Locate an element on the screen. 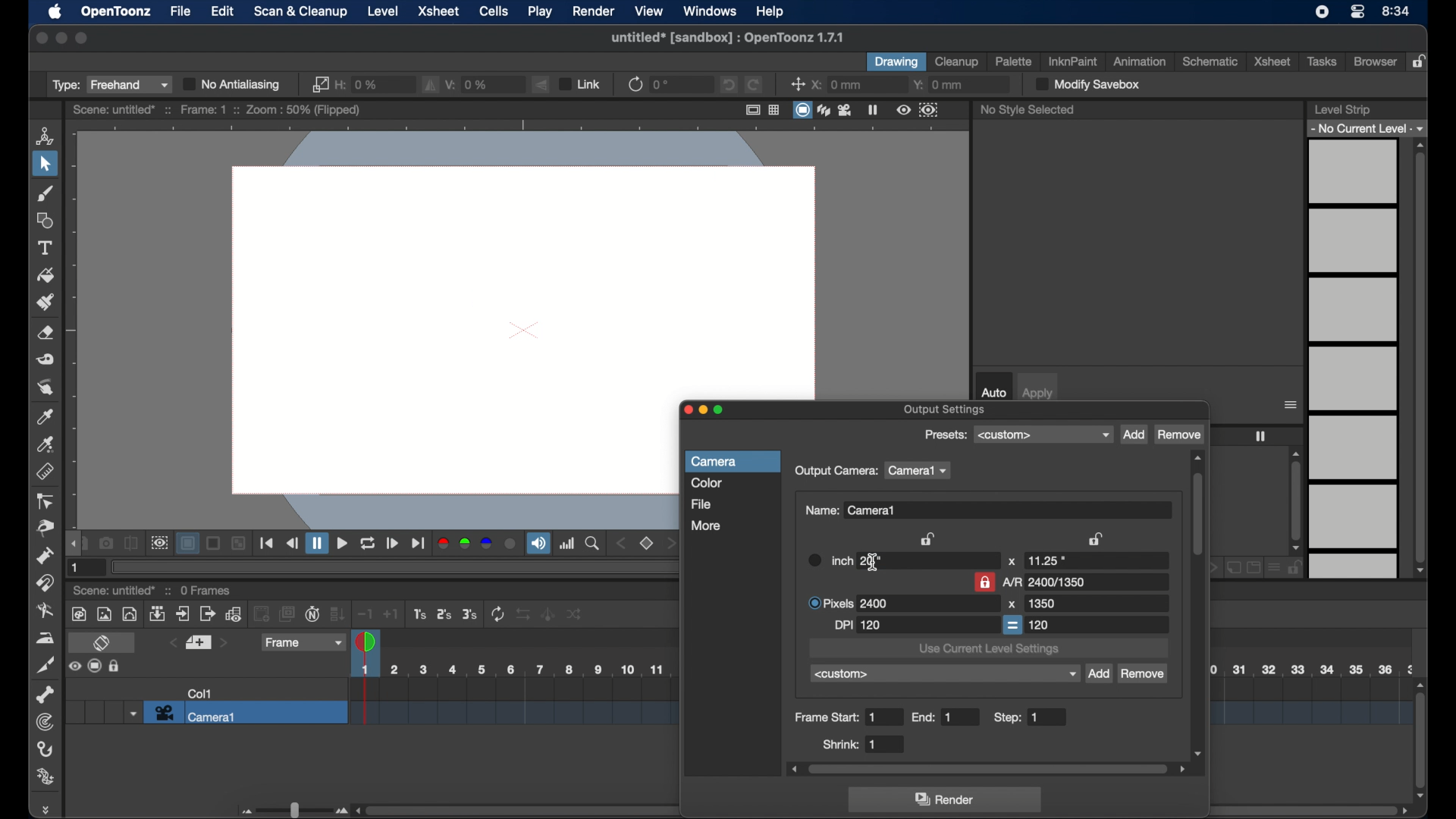 The height and width of the screenshot is (819, 1456).  is located at coordinates (417, 547).